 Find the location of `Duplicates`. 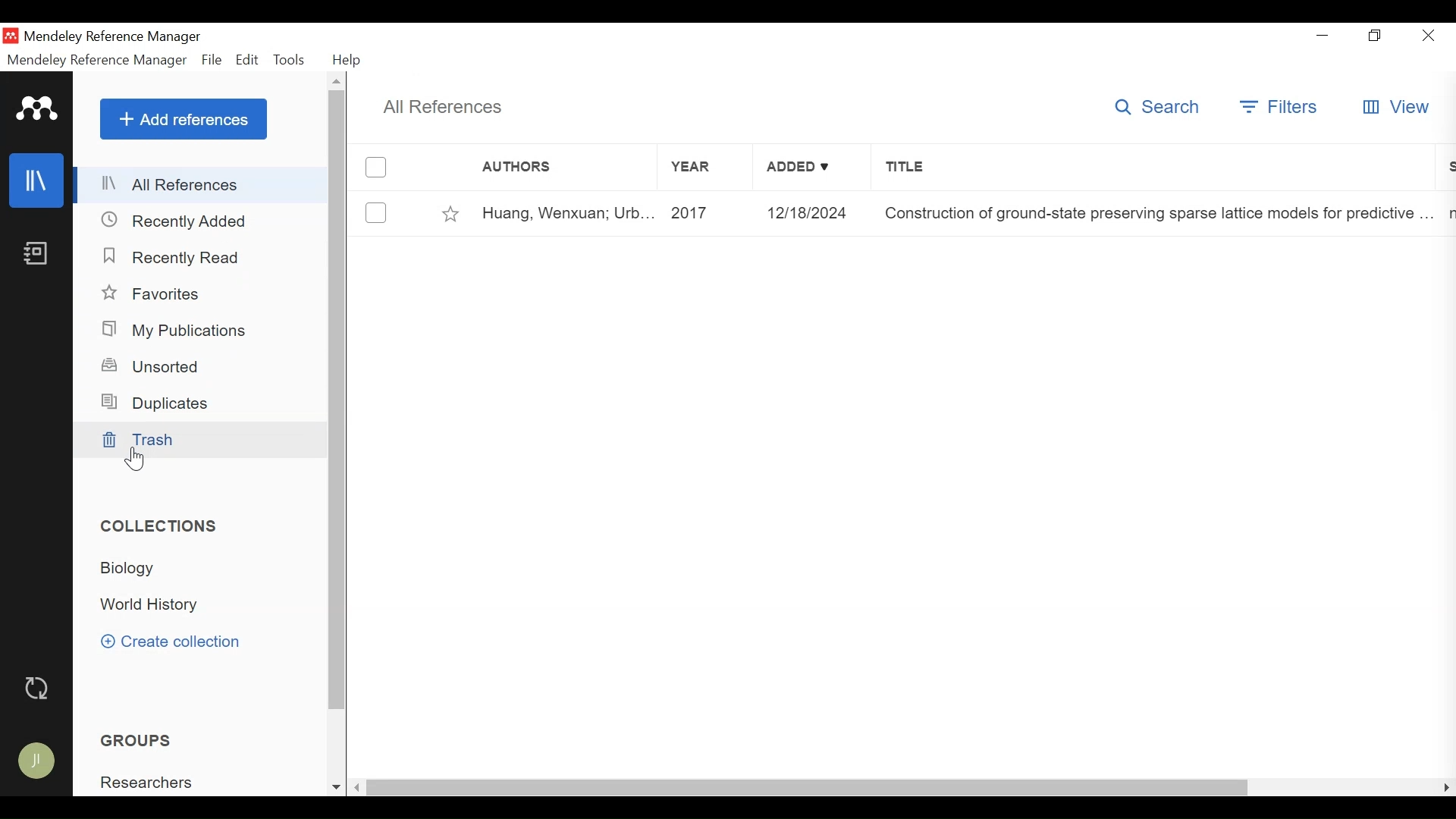

Duplicates is located at coordinates (161, 403).